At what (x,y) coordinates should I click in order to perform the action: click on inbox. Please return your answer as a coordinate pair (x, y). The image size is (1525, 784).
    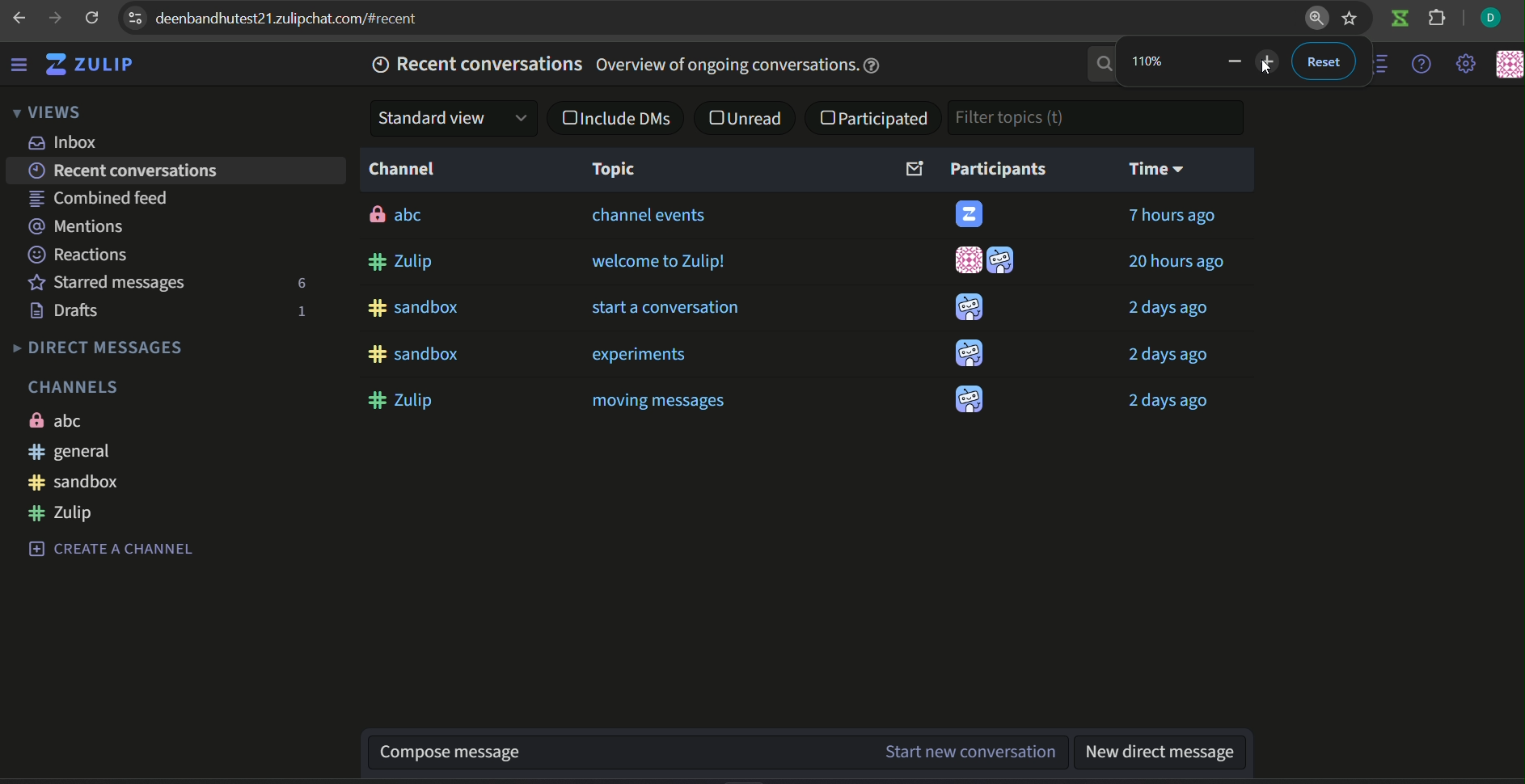
    Looking at the image, I should click on (65, 143).